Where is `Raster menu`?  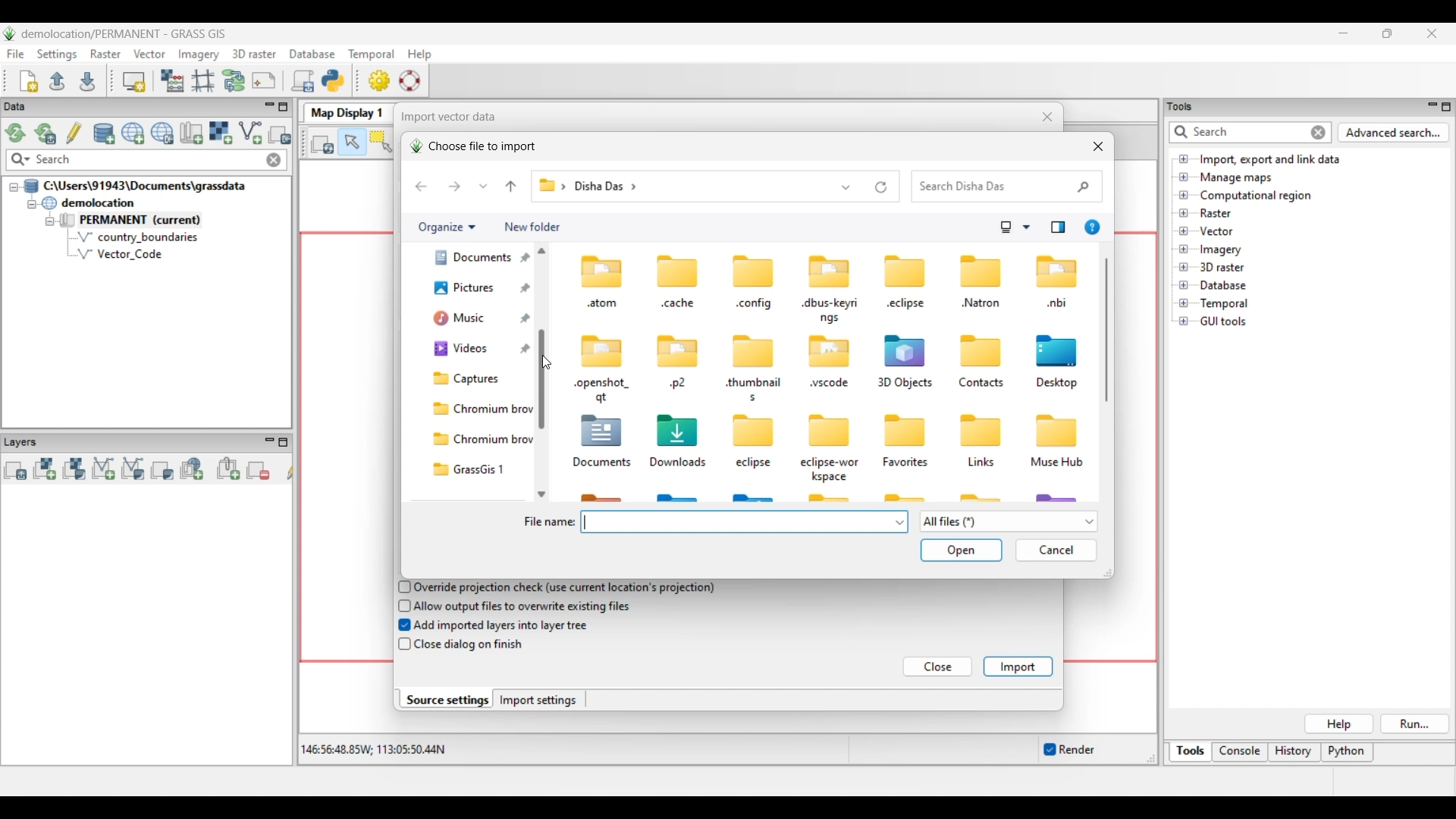
Raster menu is located at coordinates (105, 54).